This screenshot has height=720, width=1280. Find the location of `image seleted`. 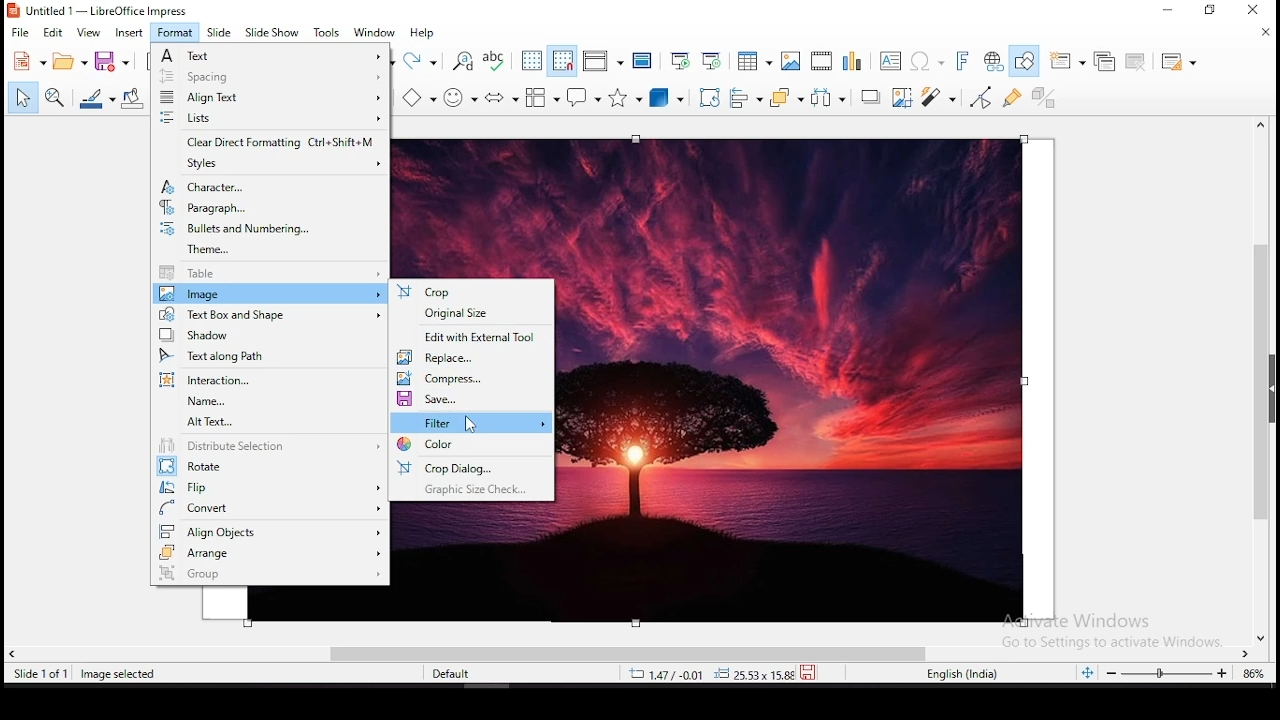

image seleted is located at coordinates (119, 675).